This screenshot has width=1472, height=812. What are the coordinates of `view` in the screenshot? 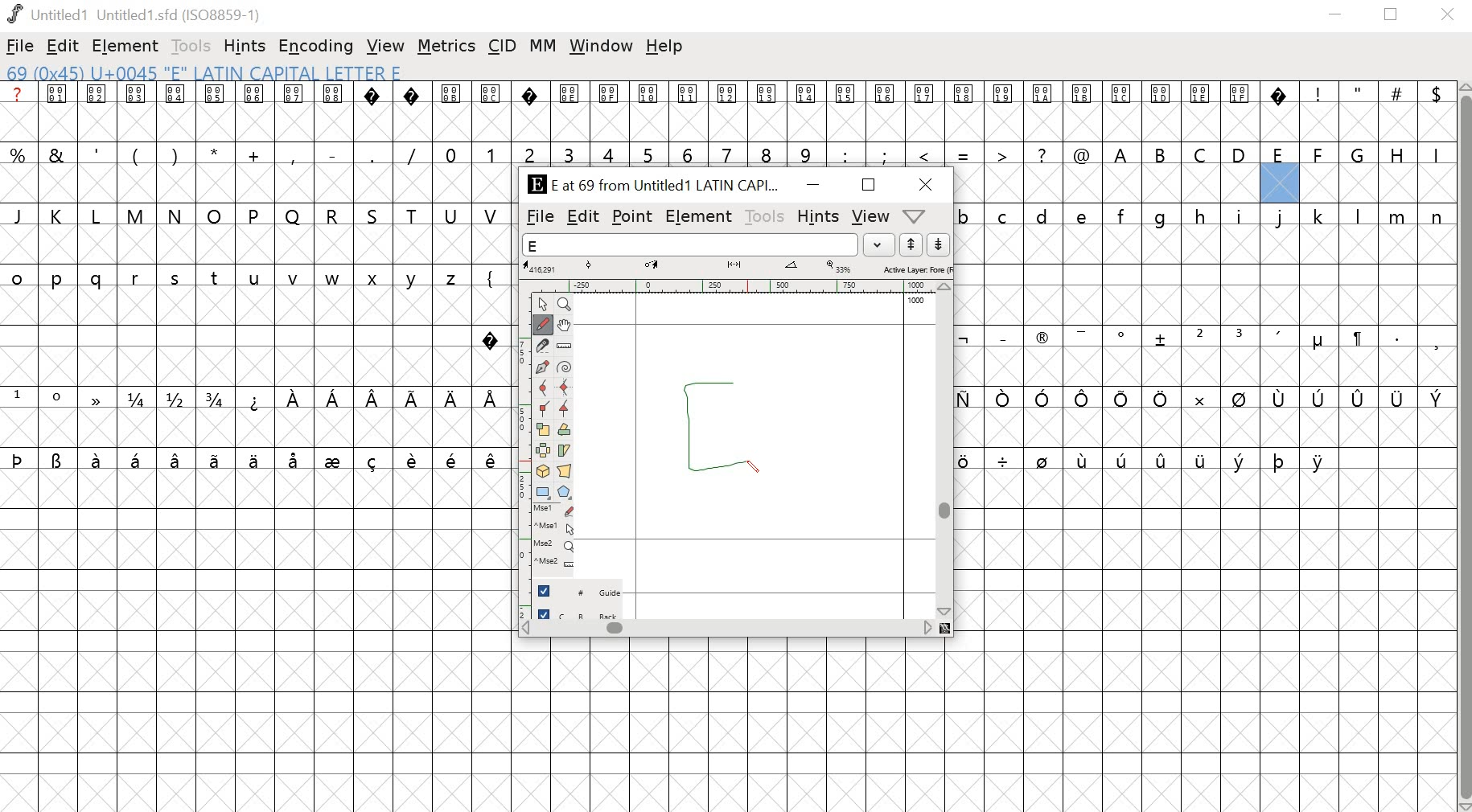 It's located at (386, 46).